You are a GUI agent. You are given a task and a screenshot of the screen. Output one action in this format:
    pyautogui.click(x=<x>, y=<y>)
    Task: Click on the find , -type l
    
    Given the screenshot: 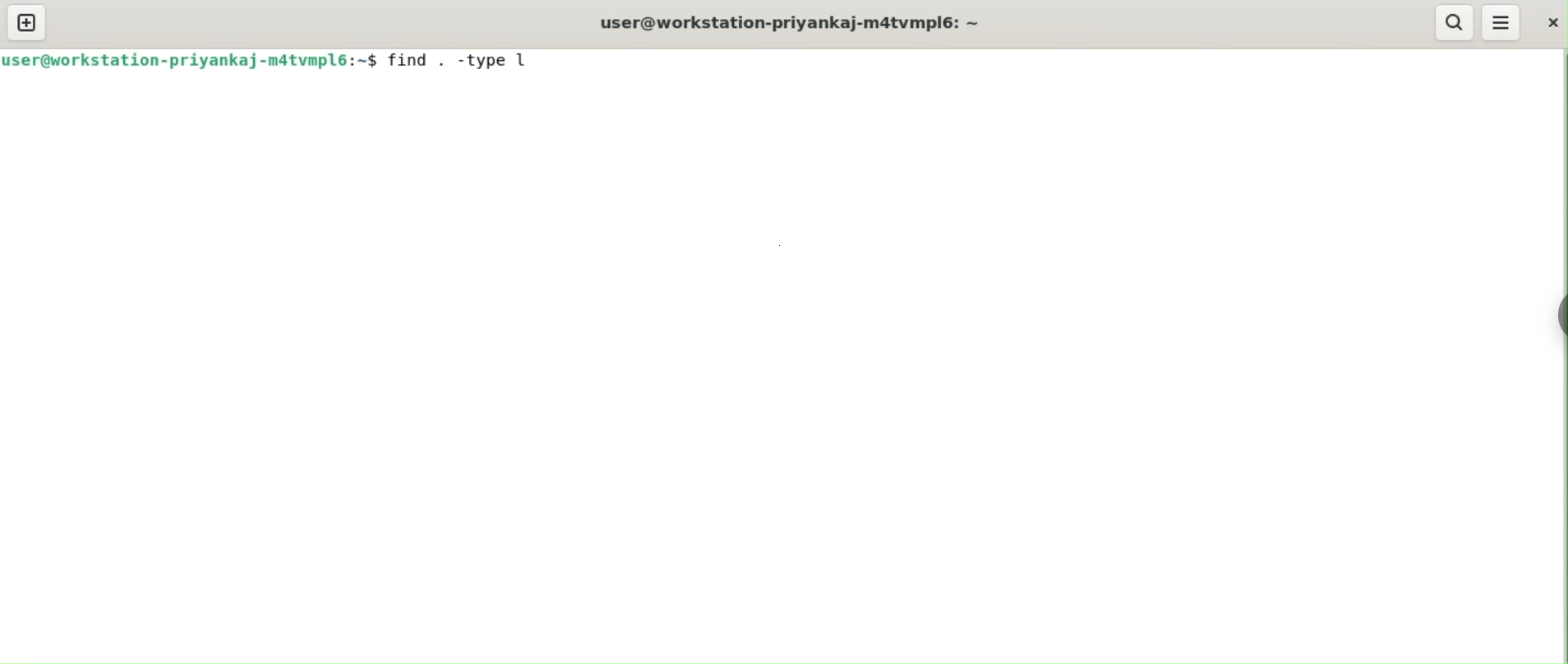 What is the action you would take?
    pyautogui.click(x=463, y=61)
    